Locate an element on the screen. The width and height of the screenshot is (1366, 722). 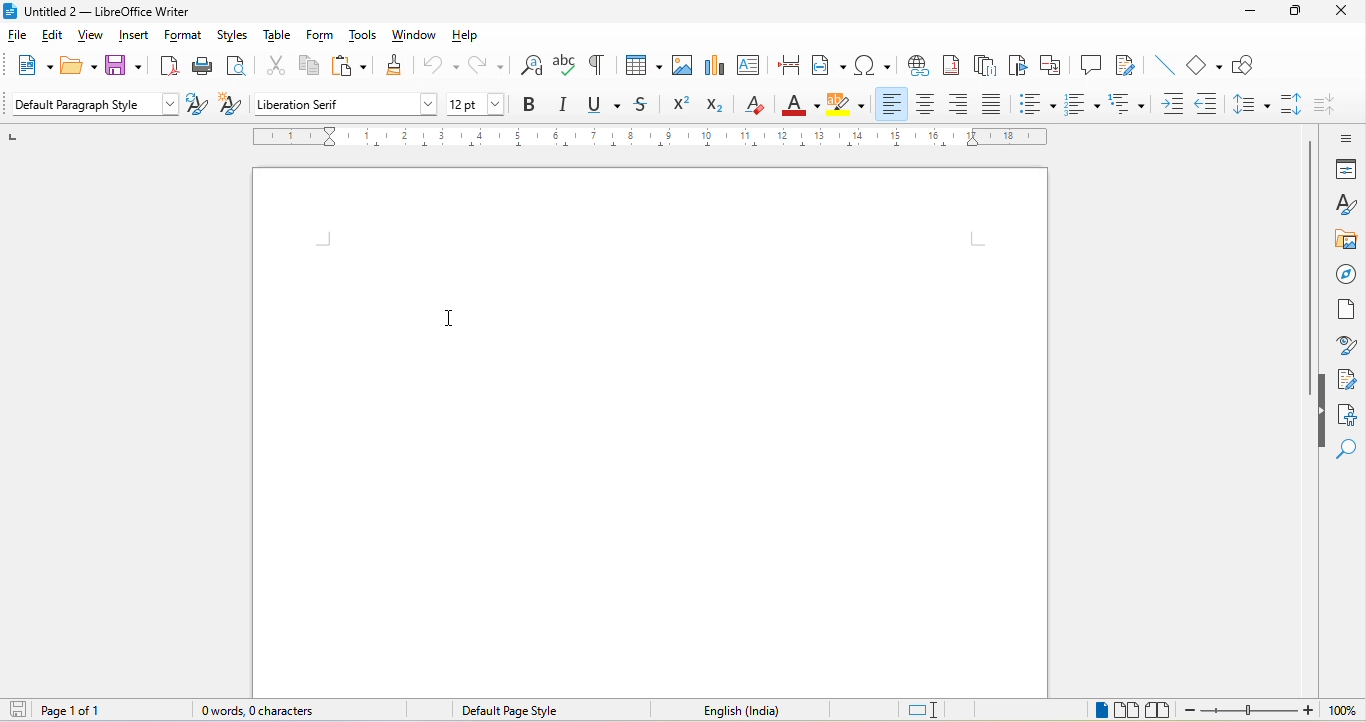
maximize is located at coordinates (1296, 11).